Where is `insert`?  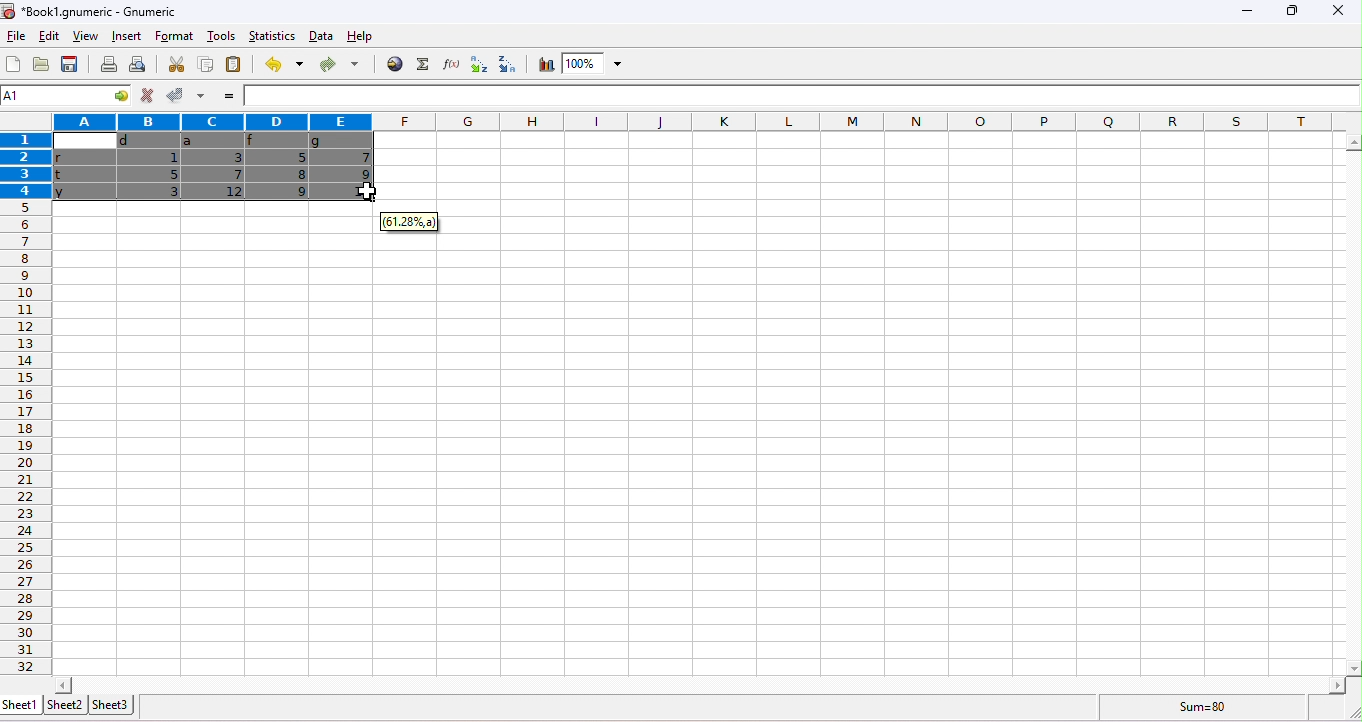 insert is located at coordinates (125, 36).